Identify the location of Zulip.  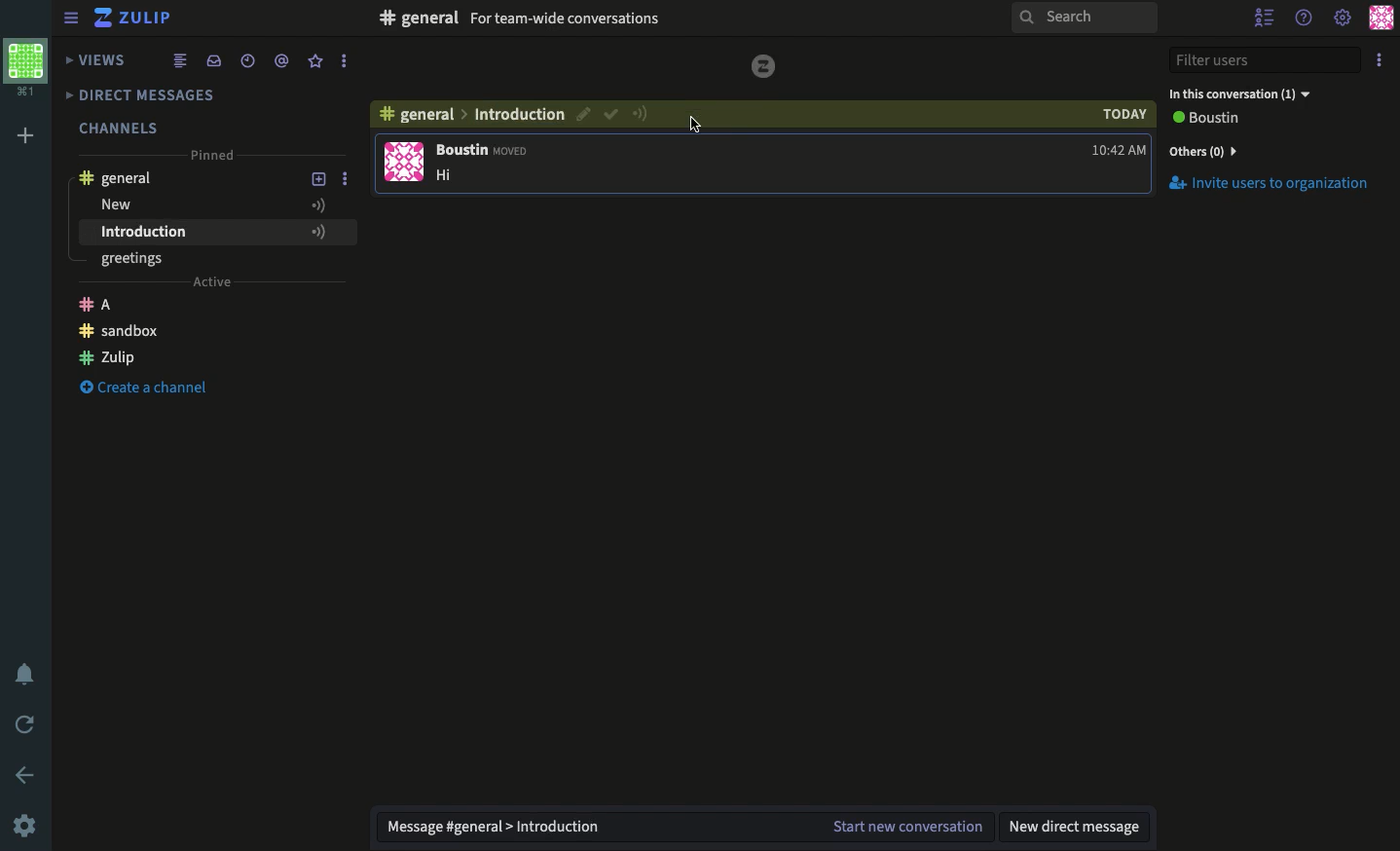
(177, 360).